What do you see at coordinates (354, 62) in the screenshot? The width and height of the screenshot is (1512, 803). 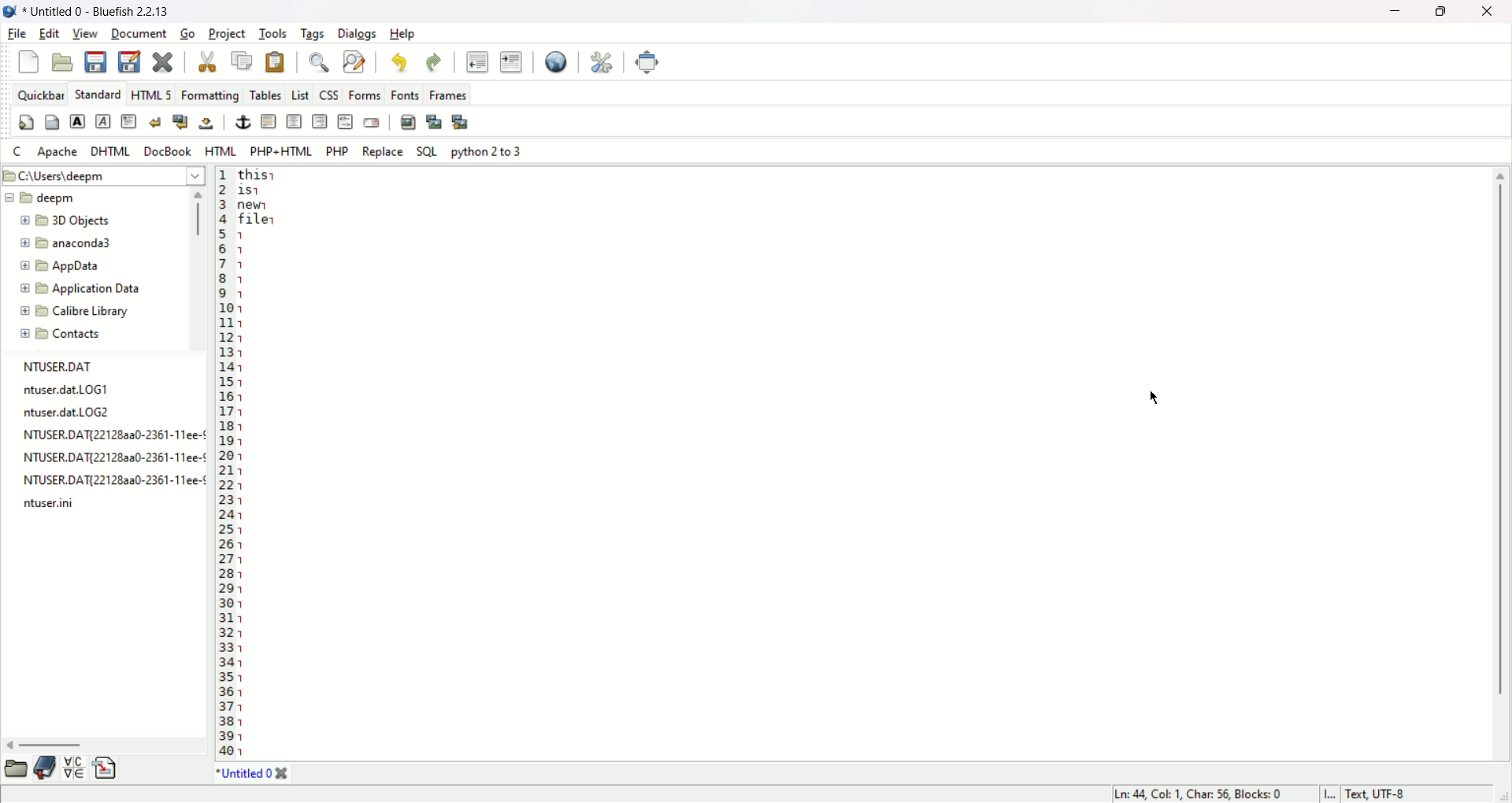 I see `find and replace` at bounding box center [354, 62].